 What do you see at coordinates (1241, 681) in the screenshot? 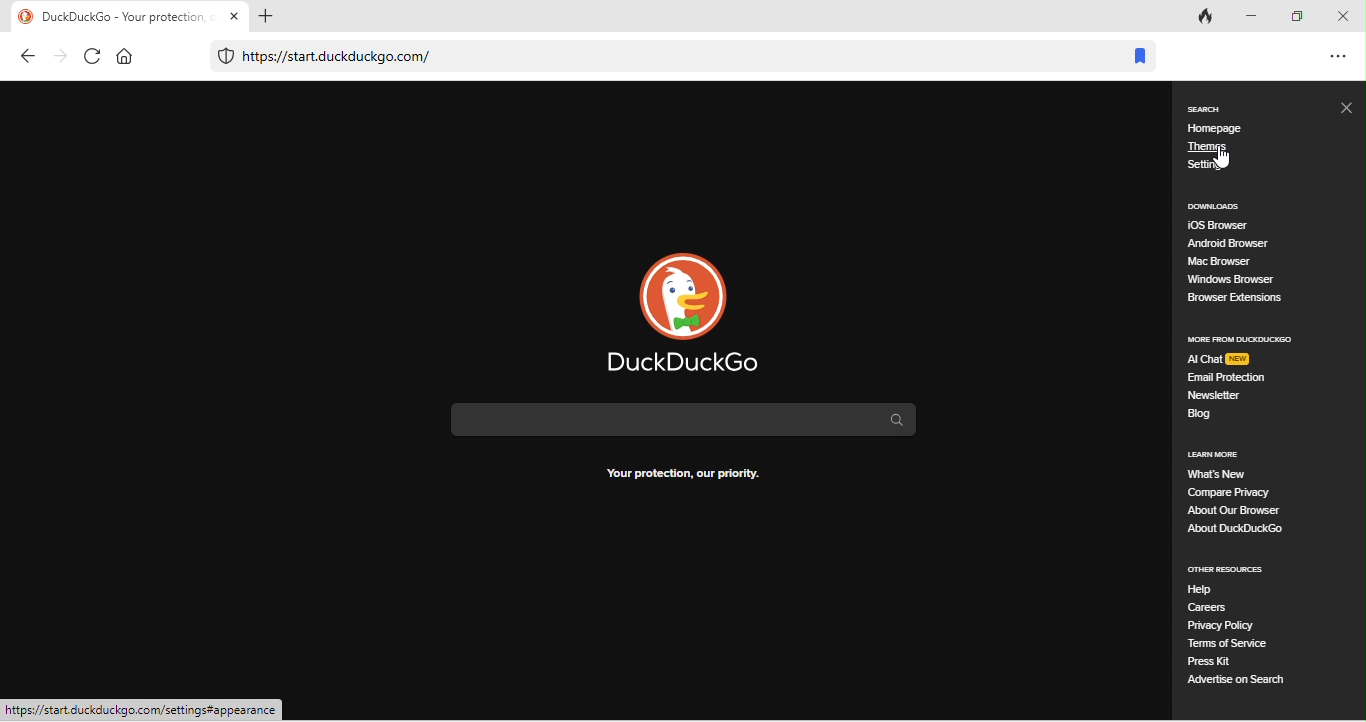
I see `advertise on search` at bounding box center [1241, 681].